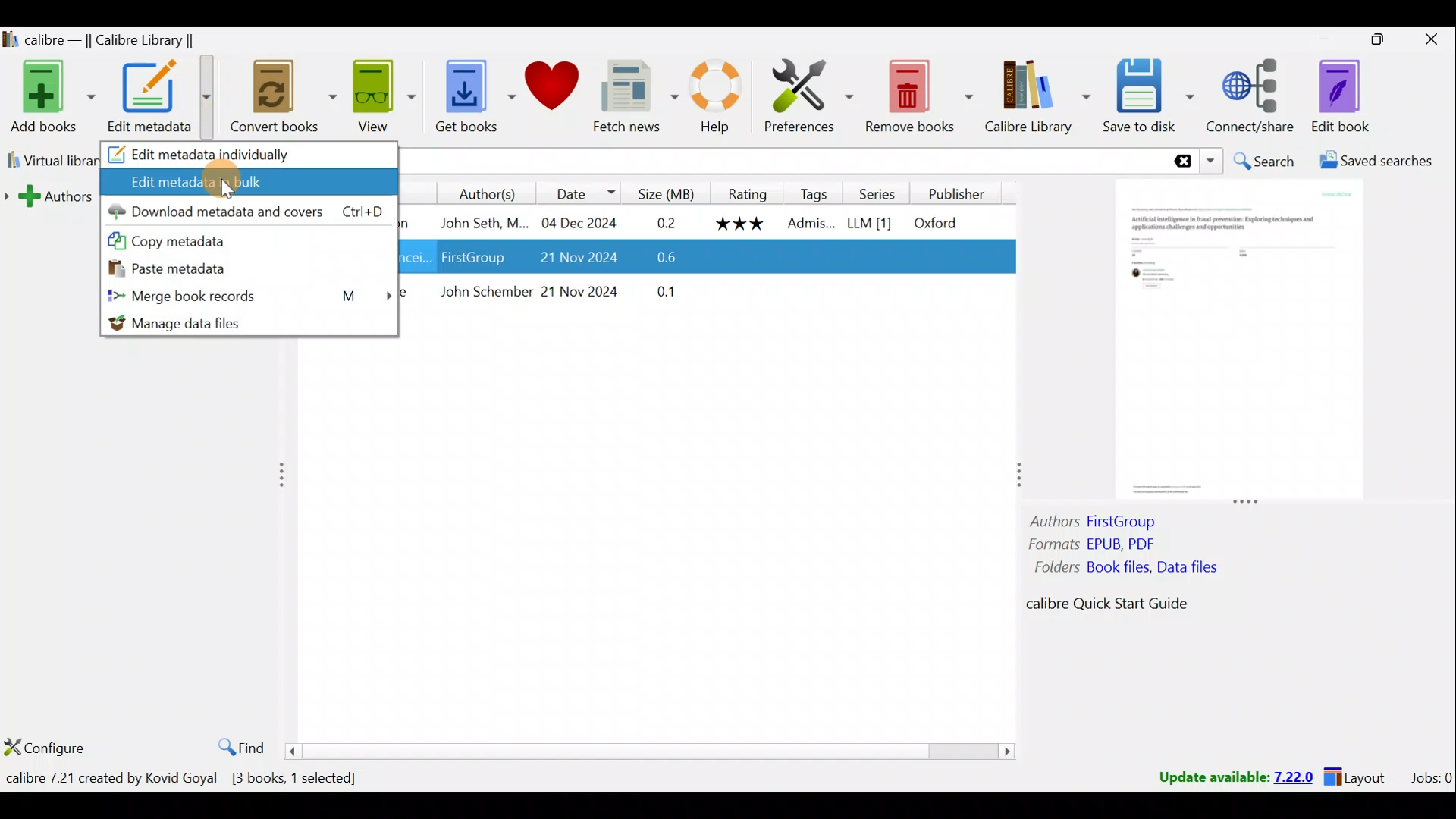 The width and height of the screenshot is (1456, 819). I want to click on Get books, so click(459, 99).